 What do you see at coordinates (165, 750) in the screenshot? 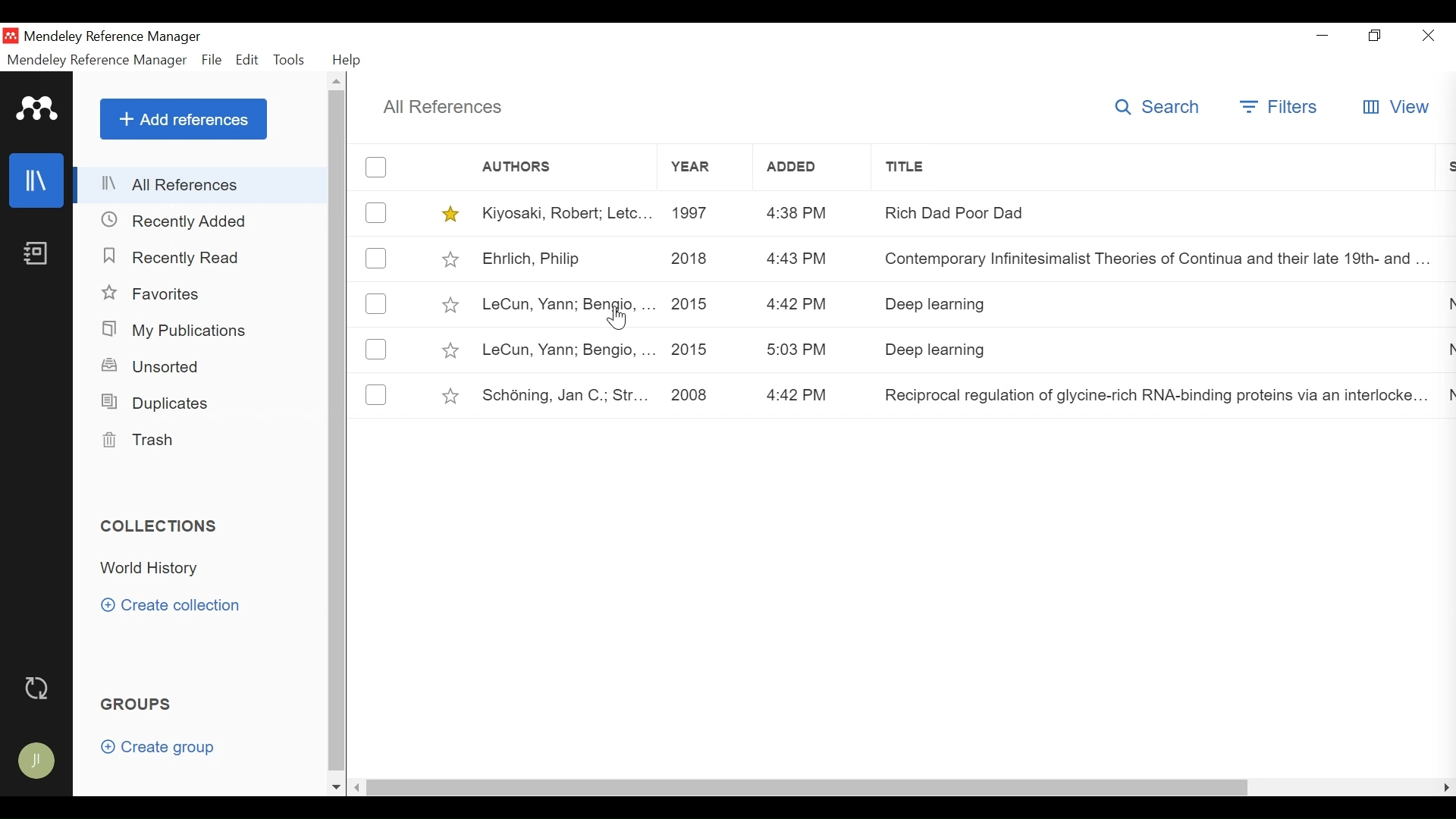
I see `Create group` at bounding box center [165, 750].